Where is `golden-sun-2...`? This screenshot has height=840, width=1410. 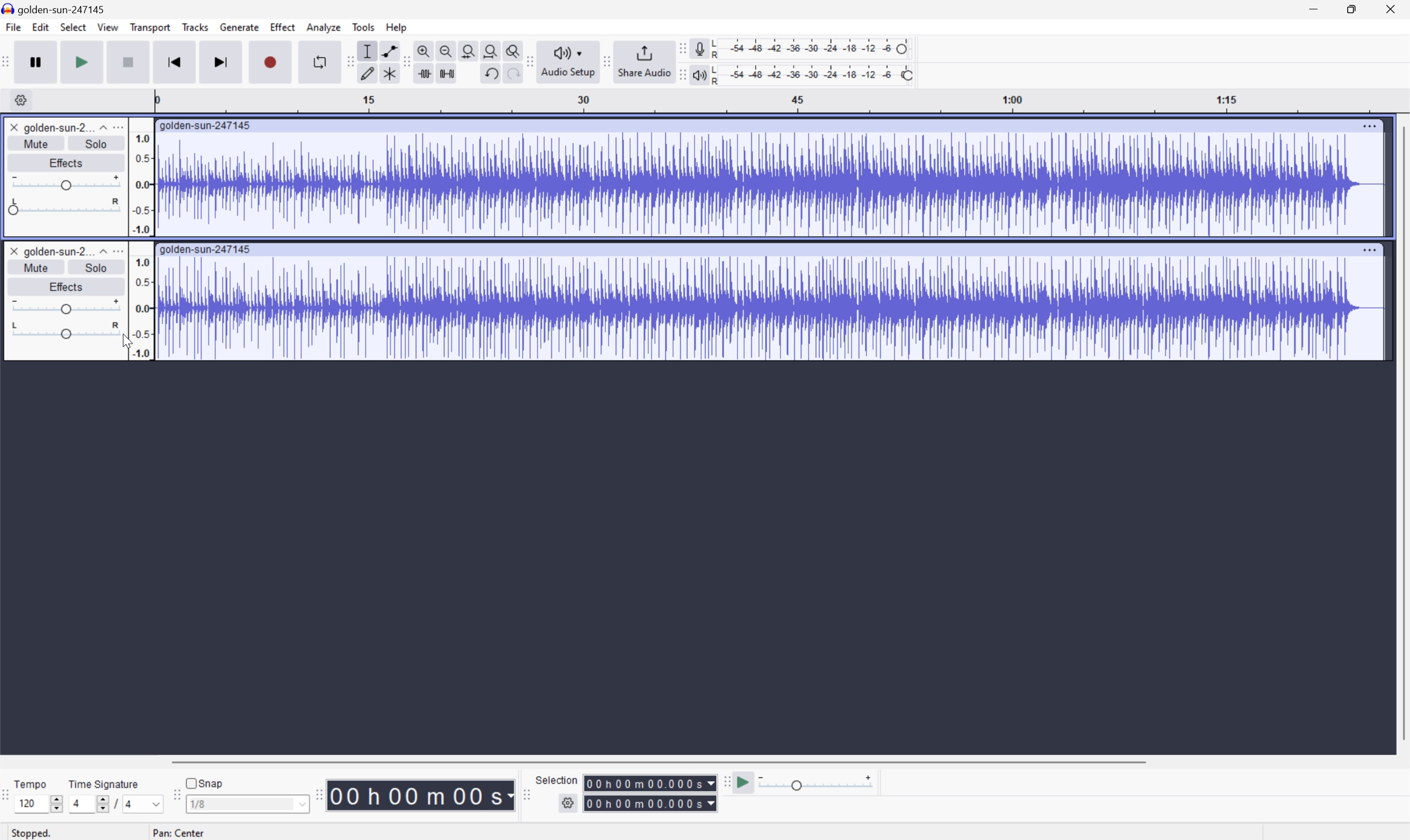 golden-sun-2... is located at coordinates (55, 253).